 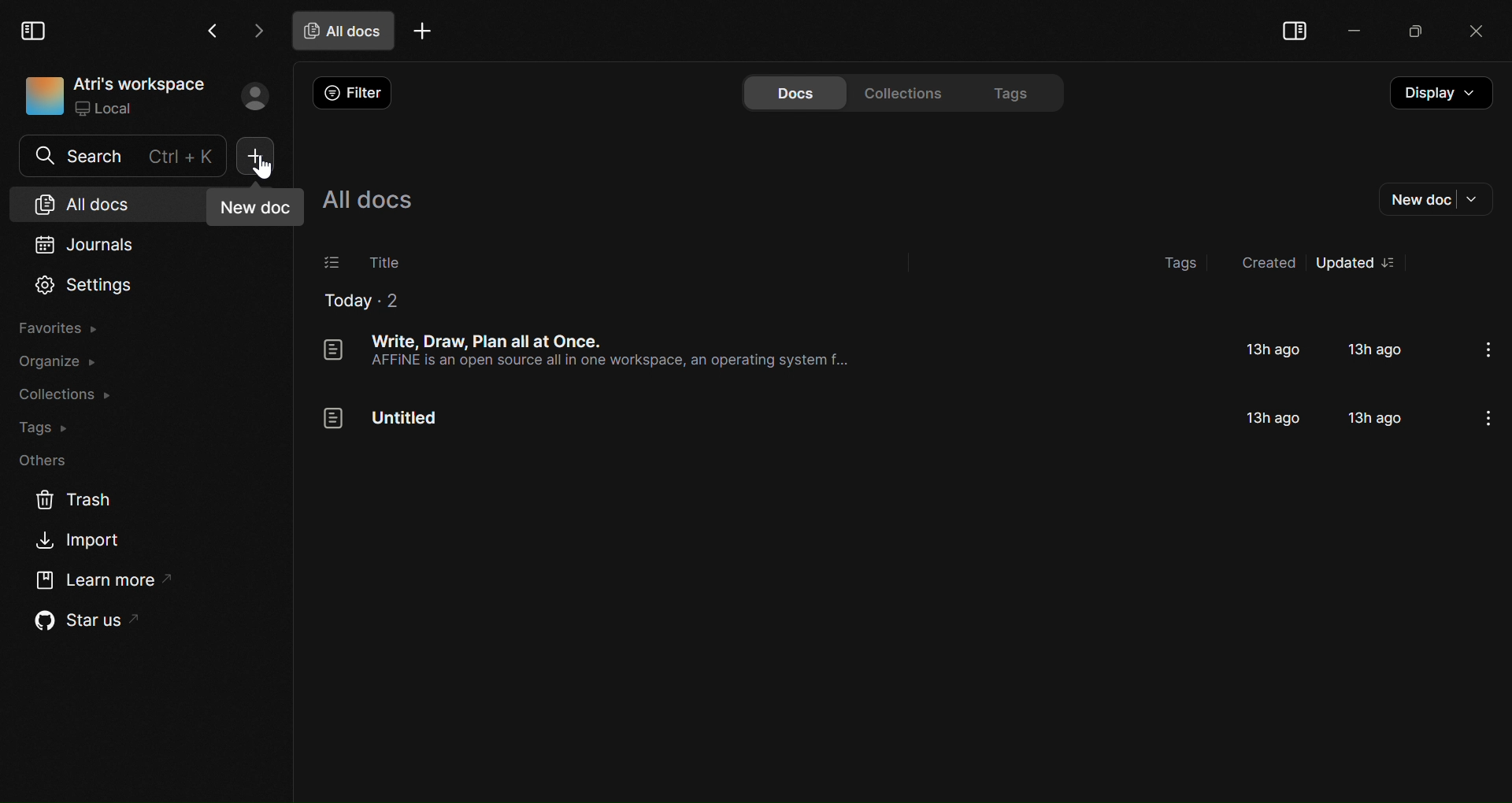 What do you see at coordinates (1264, 265) in the screenshot?
I see `Created` at bounding box center [1264, 265].